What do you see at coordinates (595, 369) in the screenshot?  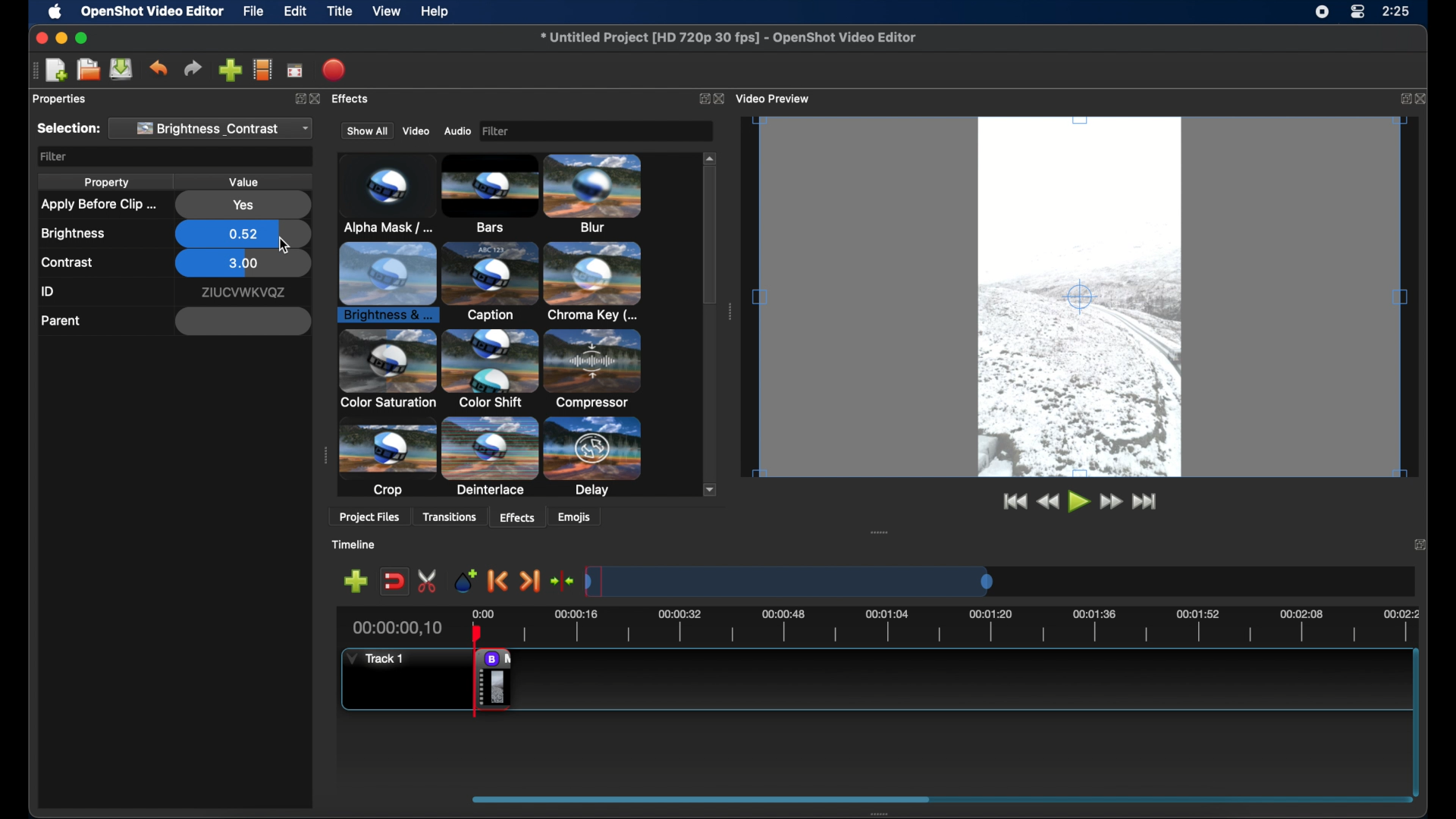 I see `delay` at bounding box center [595, 369].